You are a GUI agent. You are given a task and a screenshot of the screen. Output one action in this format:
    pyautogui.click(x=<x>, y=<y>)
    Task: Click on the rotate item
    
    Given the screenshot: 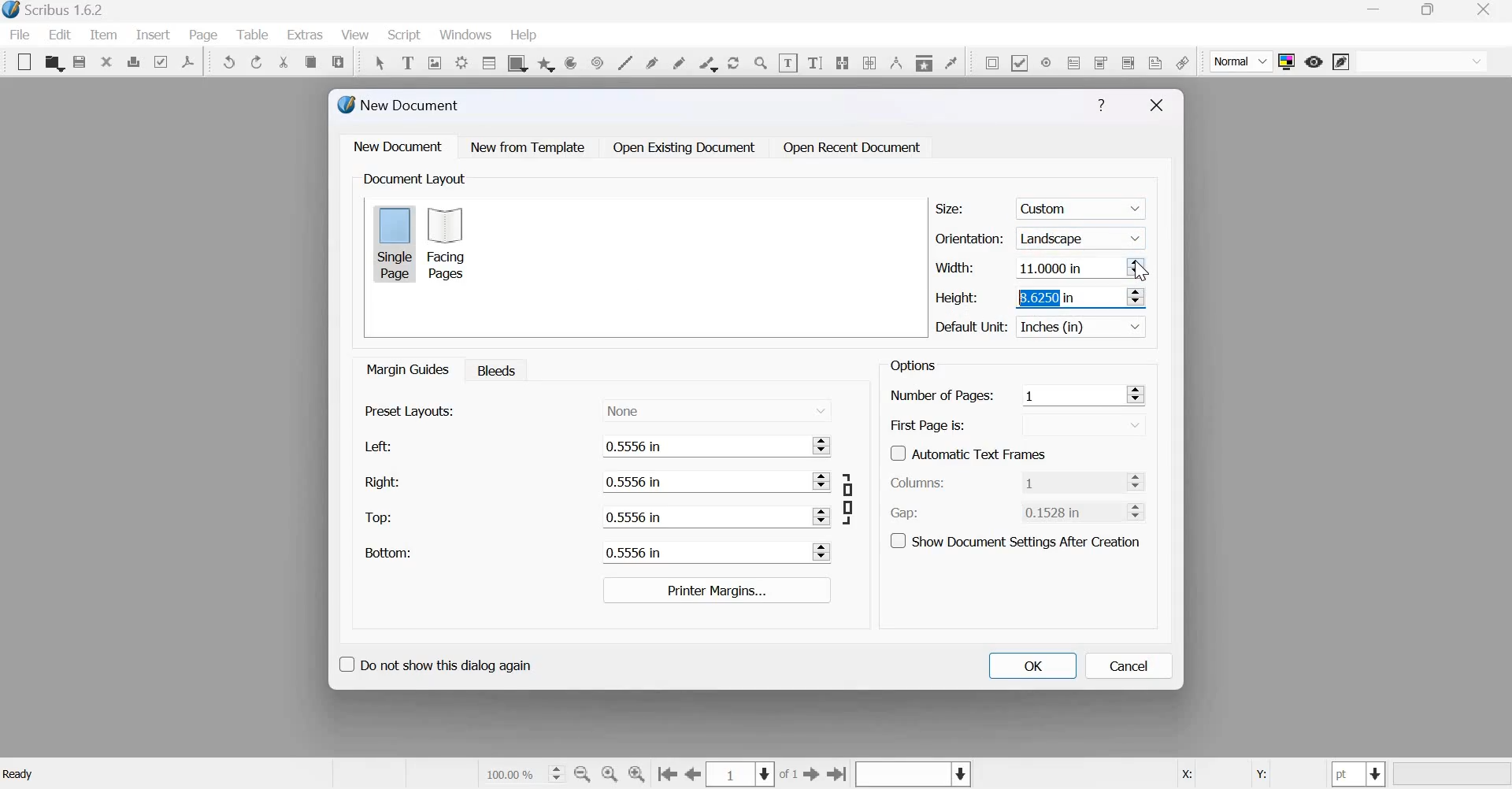 What is the action you would take?
    pyautogui.click(x=732, y=61)
    